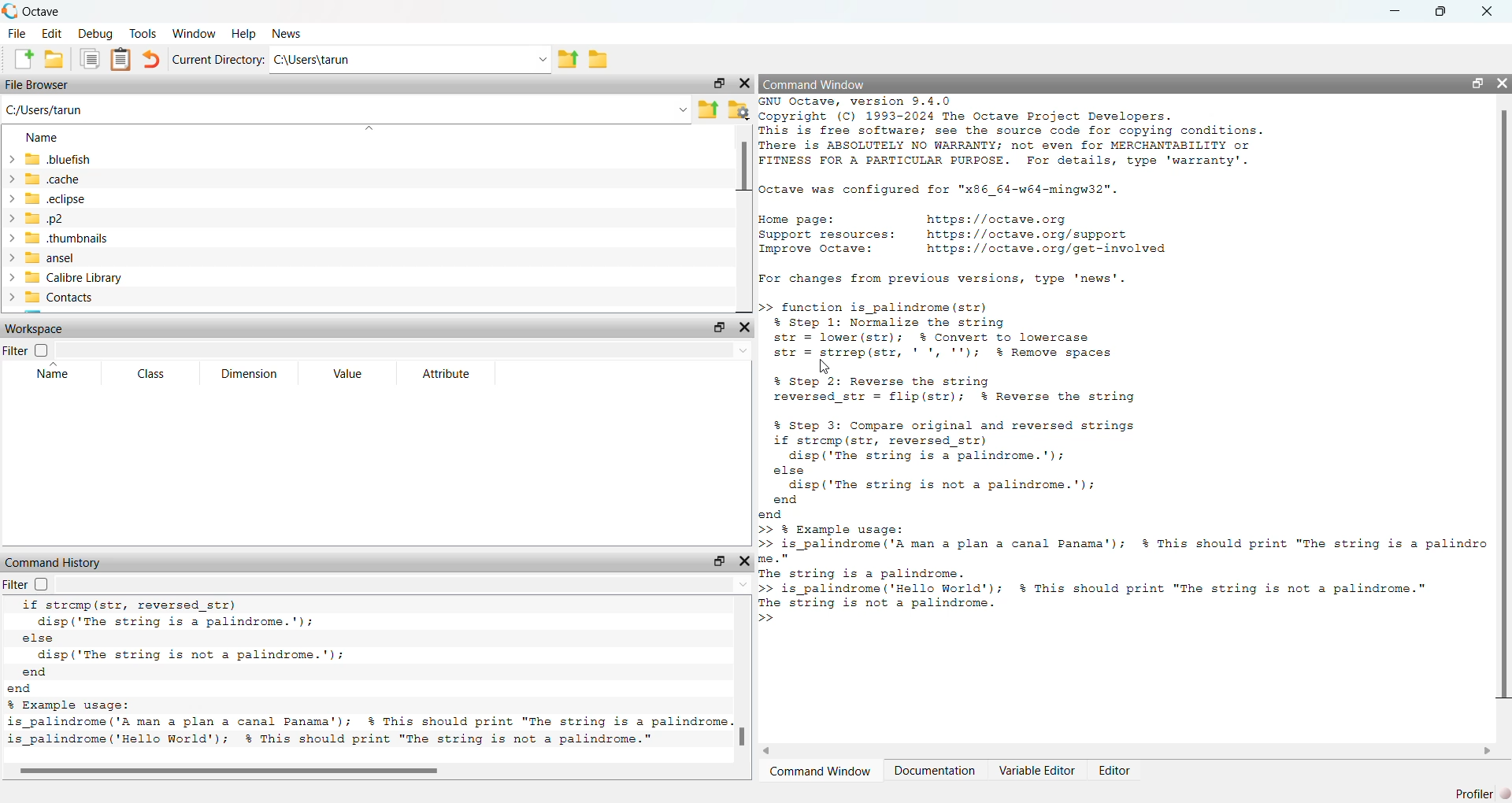 This screenshot has height=803, width=1512. Describe the element at coordinates (1503, 410) in the screenshot. I see `scrollbar` at that location.